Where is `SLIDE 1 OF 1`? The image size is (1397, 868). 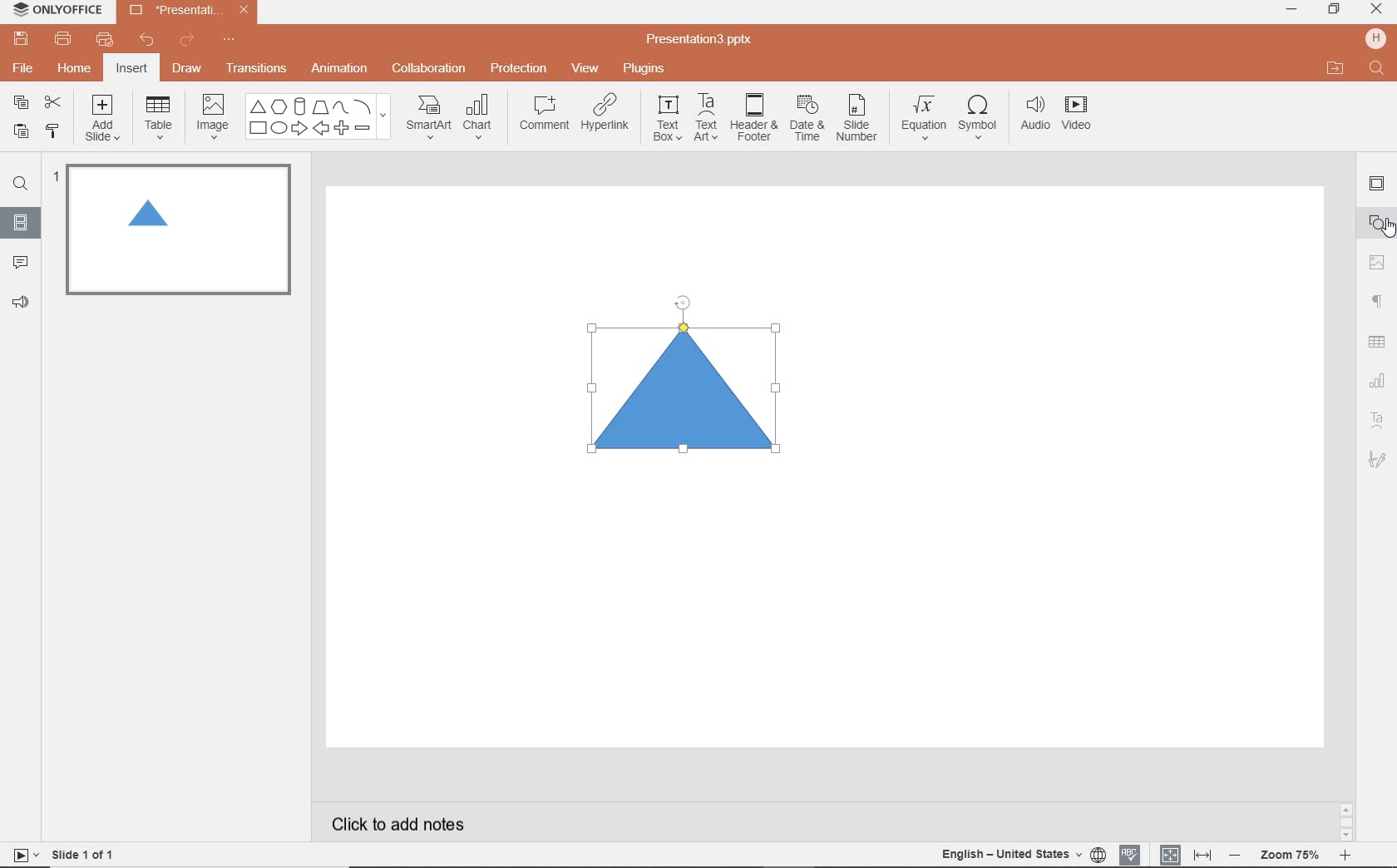 SLIDE 1 OF 1 is located at coordinates (86, 853).